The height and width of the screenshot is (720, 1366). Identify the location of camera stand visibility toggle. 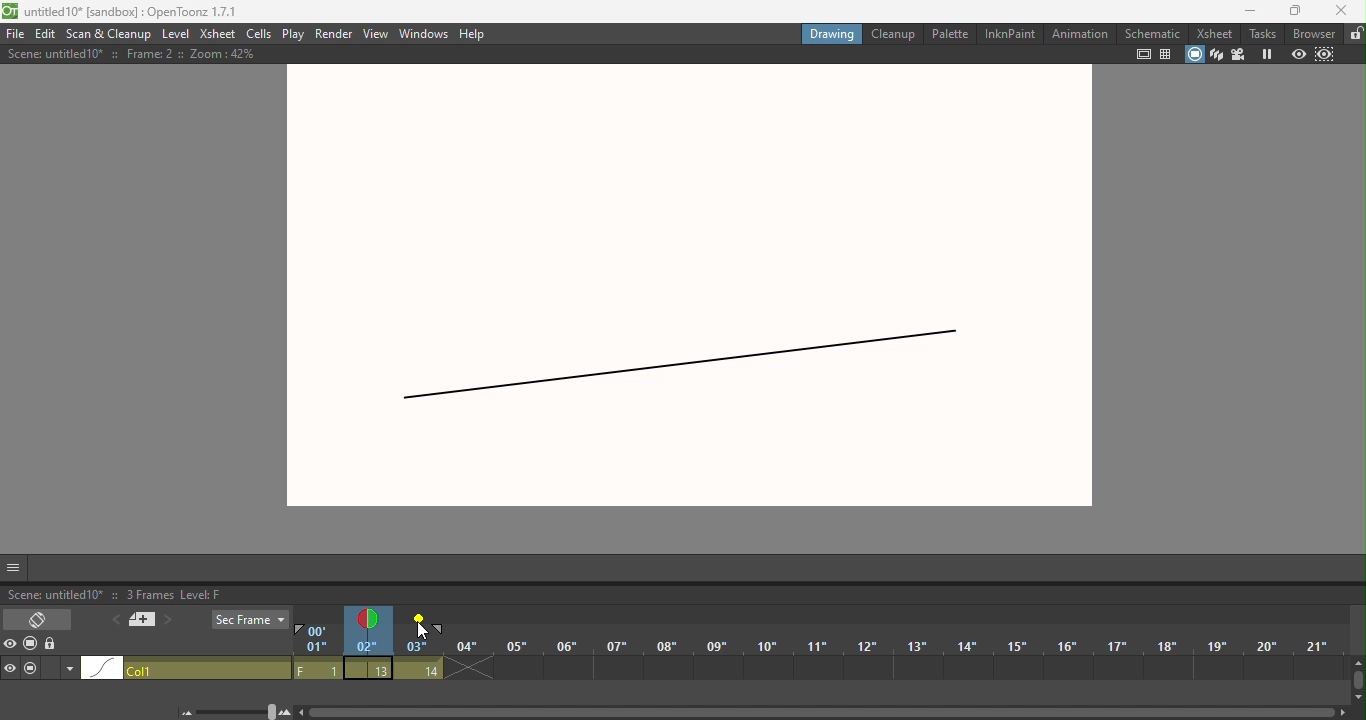
(32, 669).